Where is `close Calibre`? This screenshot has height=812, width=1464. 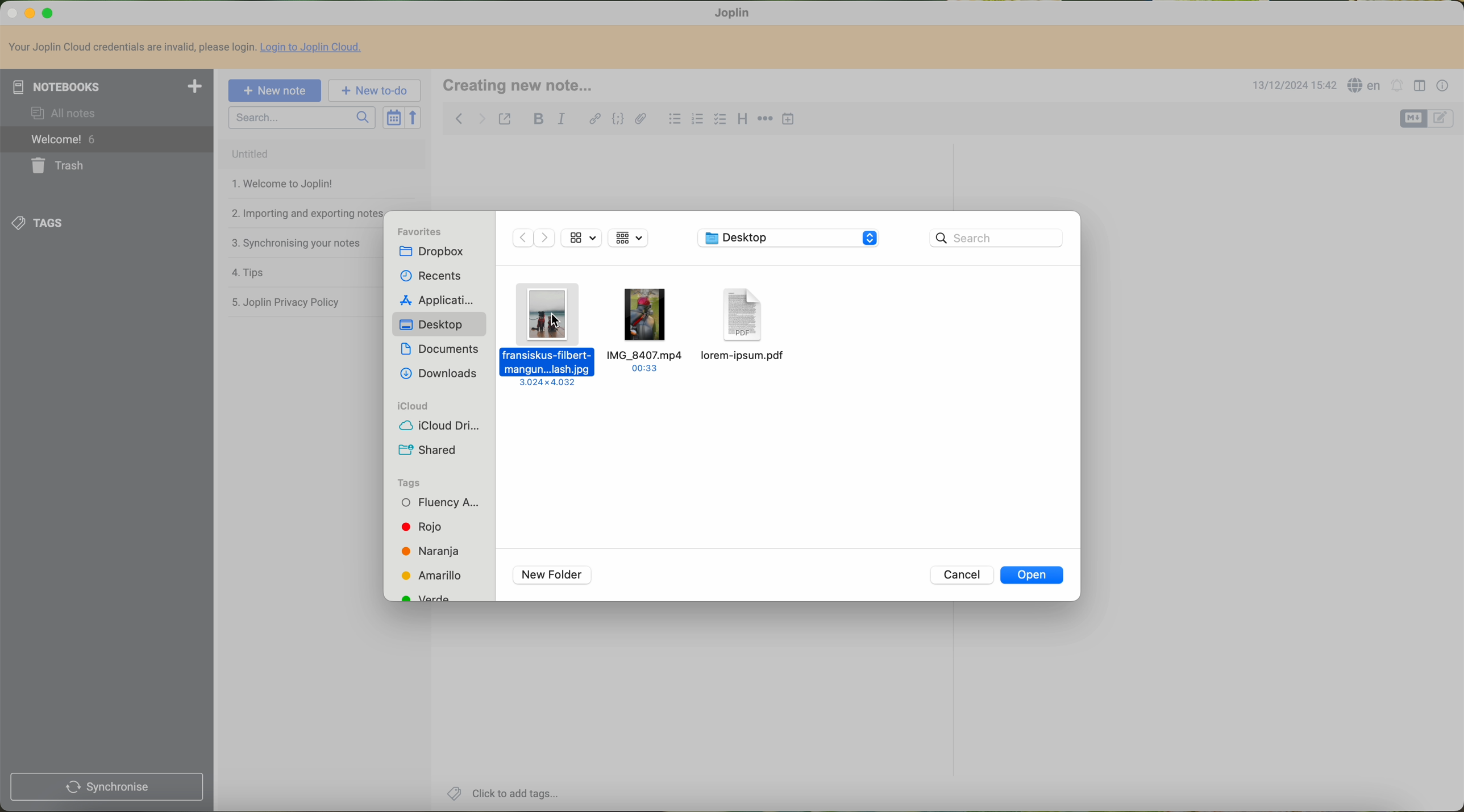
close Calibre is located at coordinates (11, 12).